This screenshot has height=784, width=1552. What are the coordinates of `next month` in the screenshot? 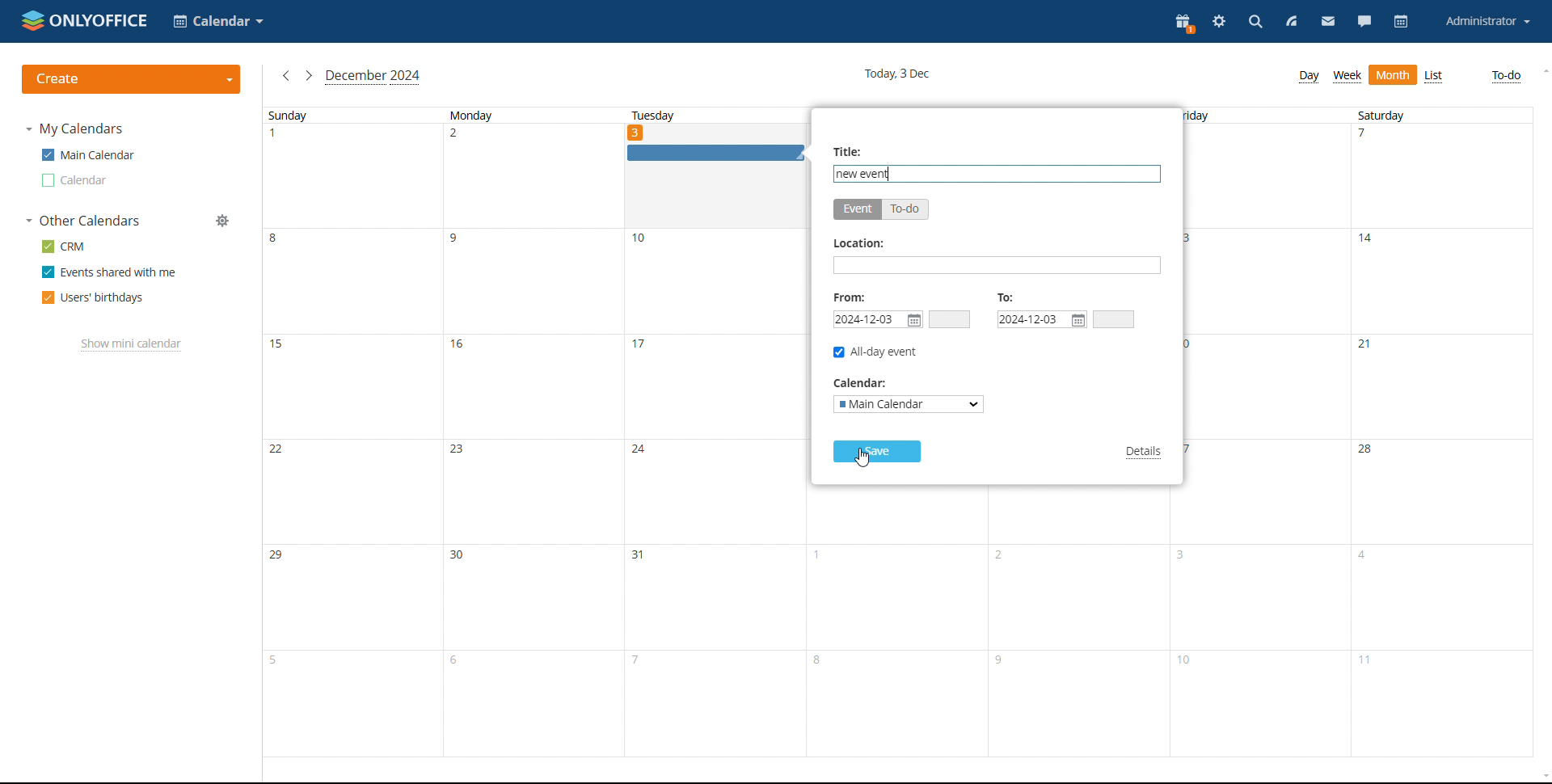 It's located at (309, 77).